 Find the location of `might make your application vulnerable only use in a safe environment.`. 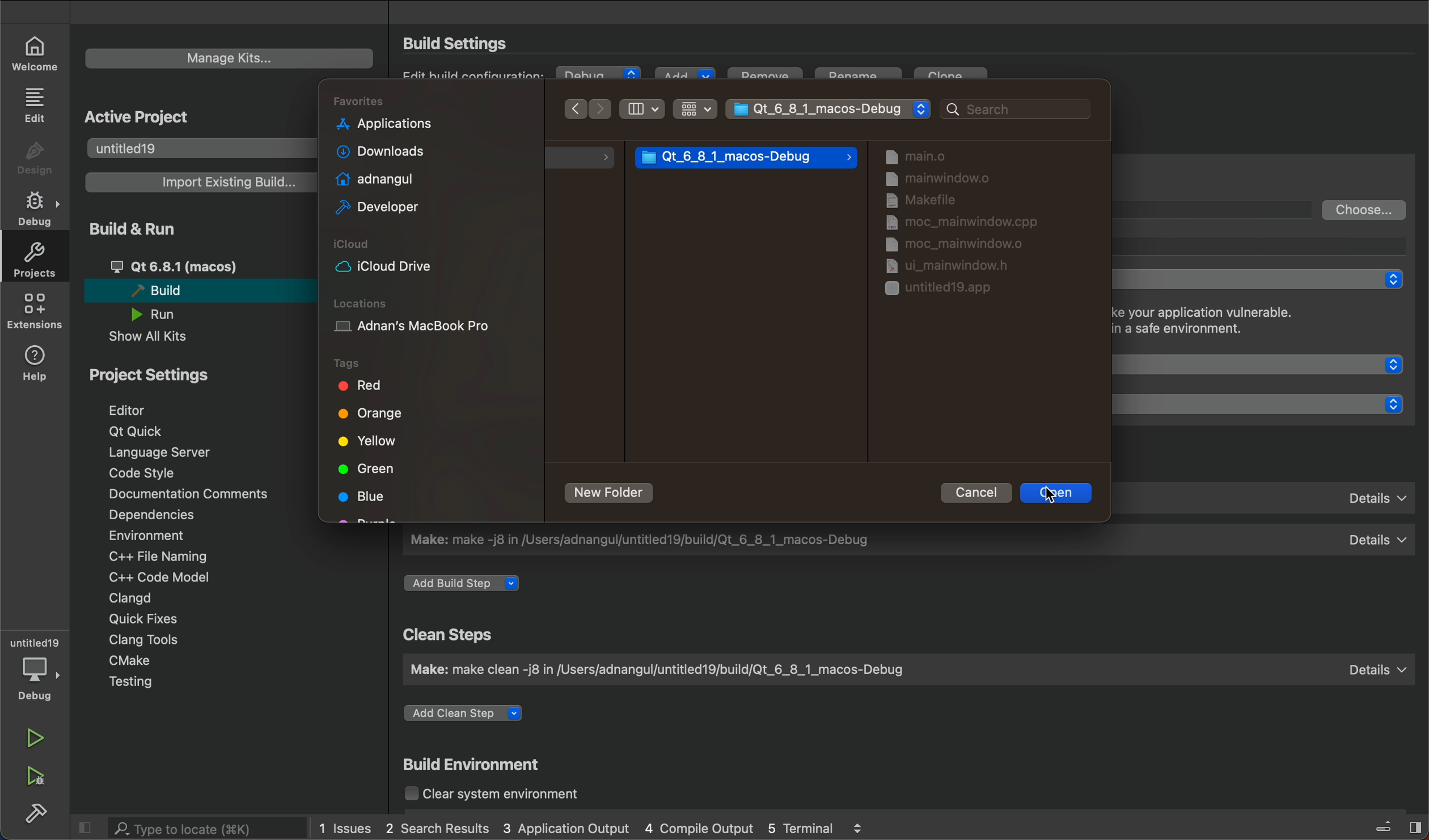

might make your application vulnerable only use in a safe environment. is located at coordinates (1234, 323).